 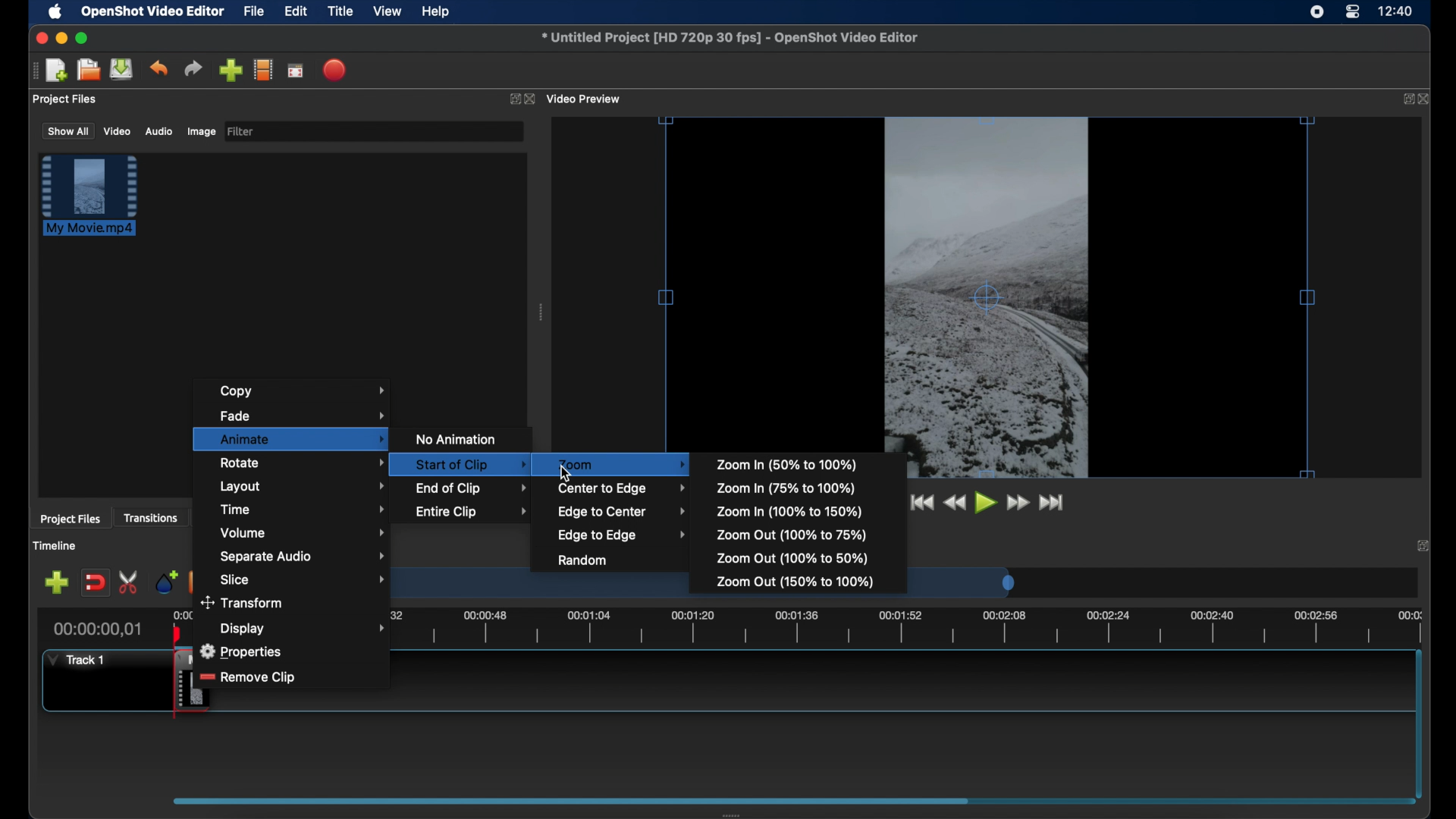 What do you see at coordinates (458, 439) in the screenshot?
I see `no animation` at bounding box center [458, 439].